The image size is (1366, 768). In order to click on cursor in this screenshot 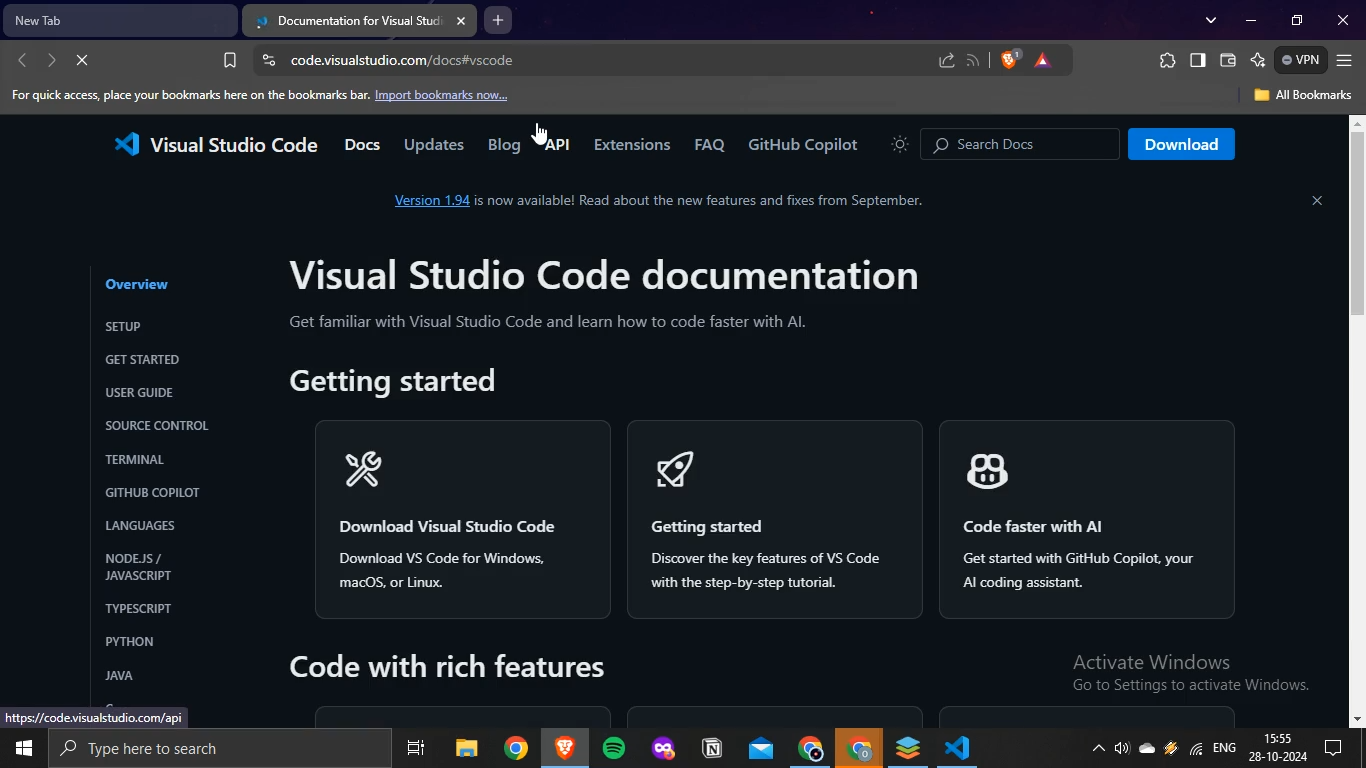, I will do `click(540, 133)`.